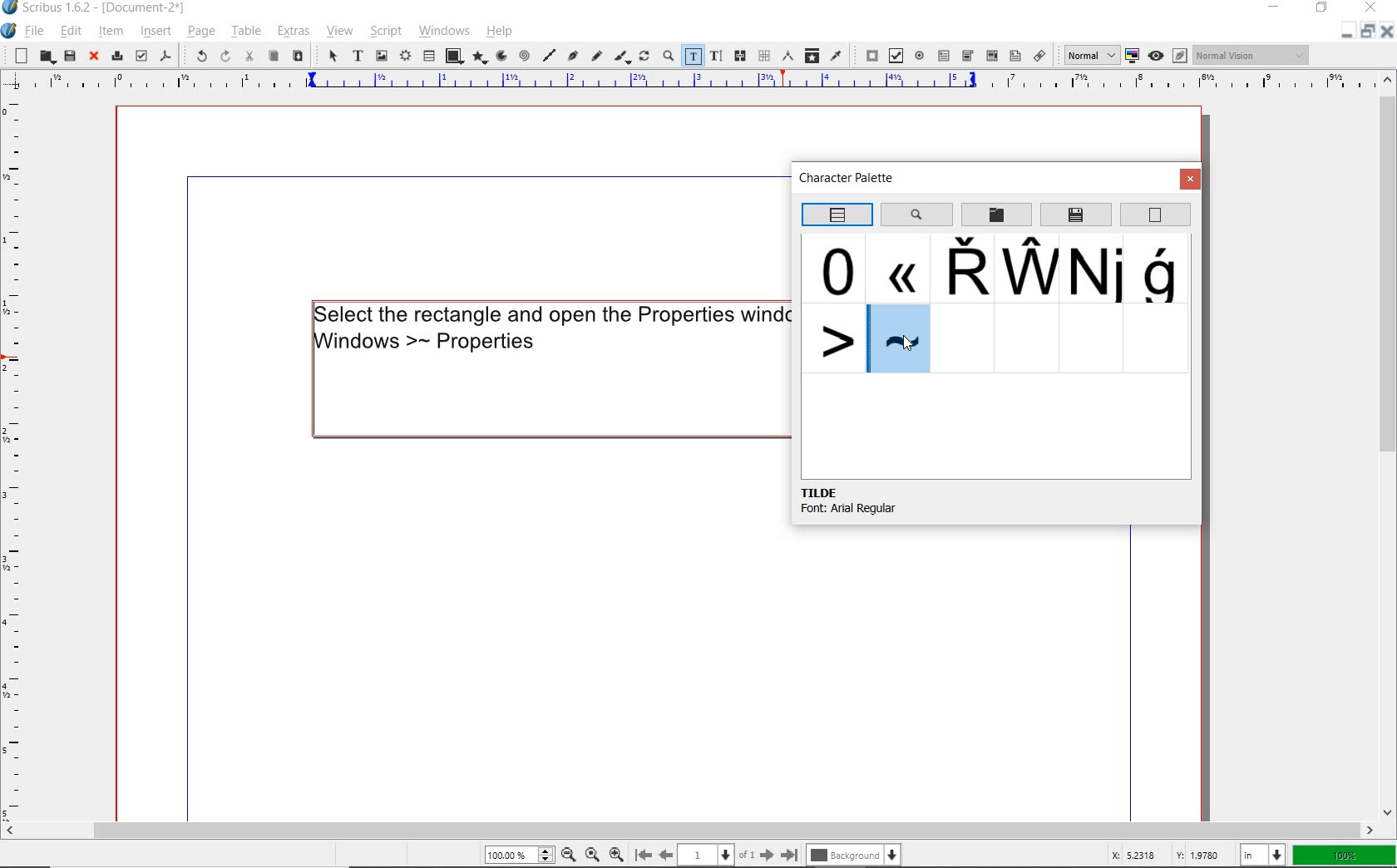 The image size is (1397, 868). I want to click on cut, so click(250, 56).